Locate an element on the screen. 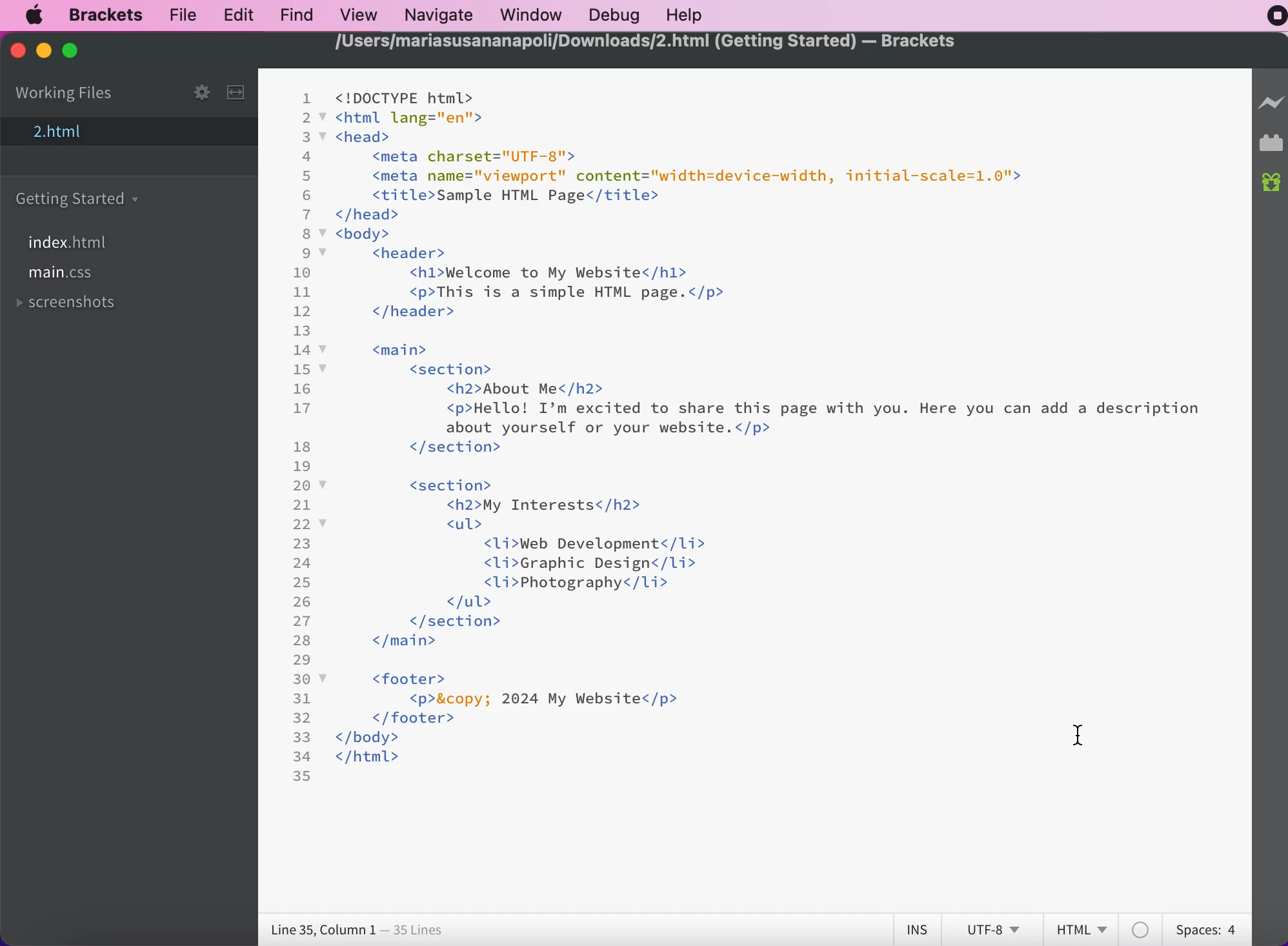  brackets is located at coordinates (108, 14).